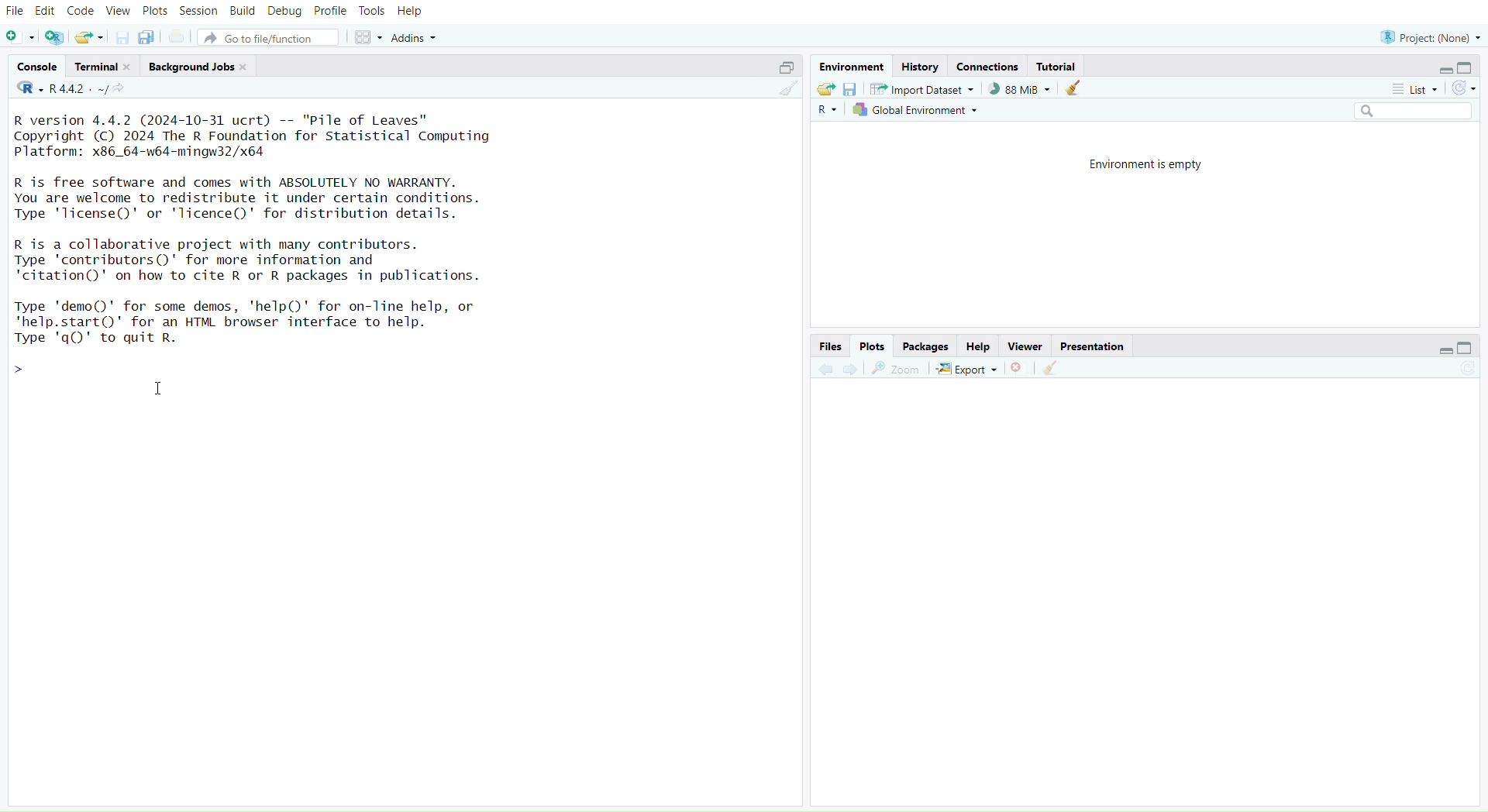 Image resolution: width=1488 pixels, height=812 pixels. Describe the element at coordinates (849, 67) in the screenshot. I see `environment` at that location.